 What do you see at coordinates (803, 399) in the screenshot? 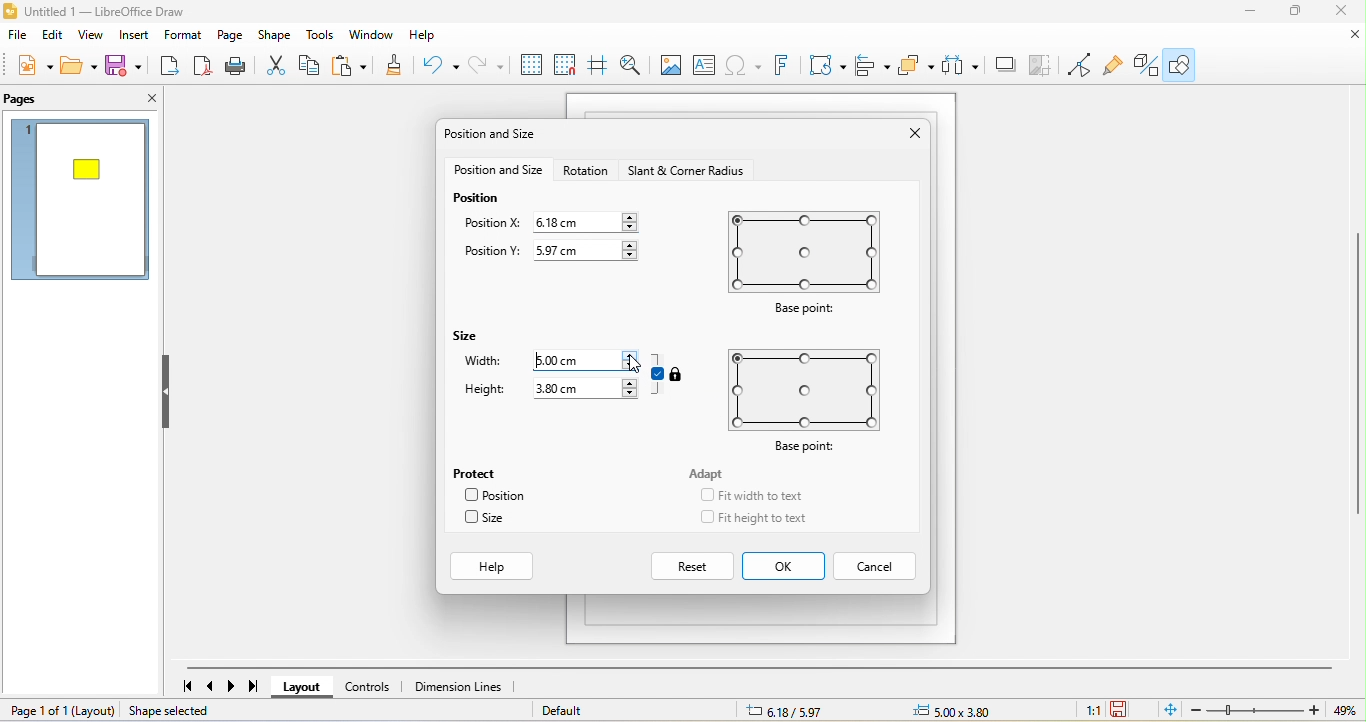
I see `base point` at bounding box center [803, 399].